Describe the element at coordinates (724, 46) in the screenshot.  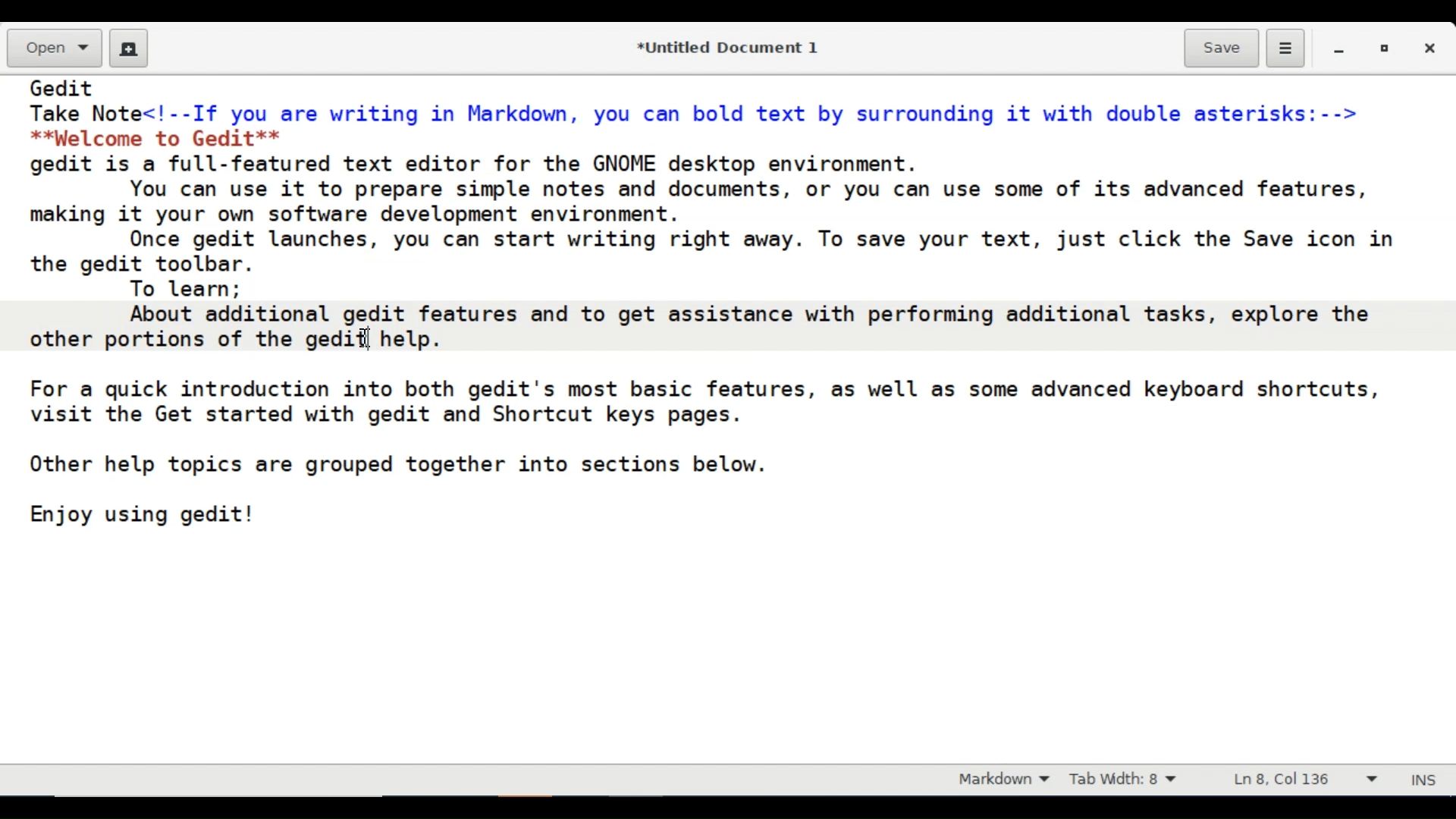
I see `Untitled  document` at that location.